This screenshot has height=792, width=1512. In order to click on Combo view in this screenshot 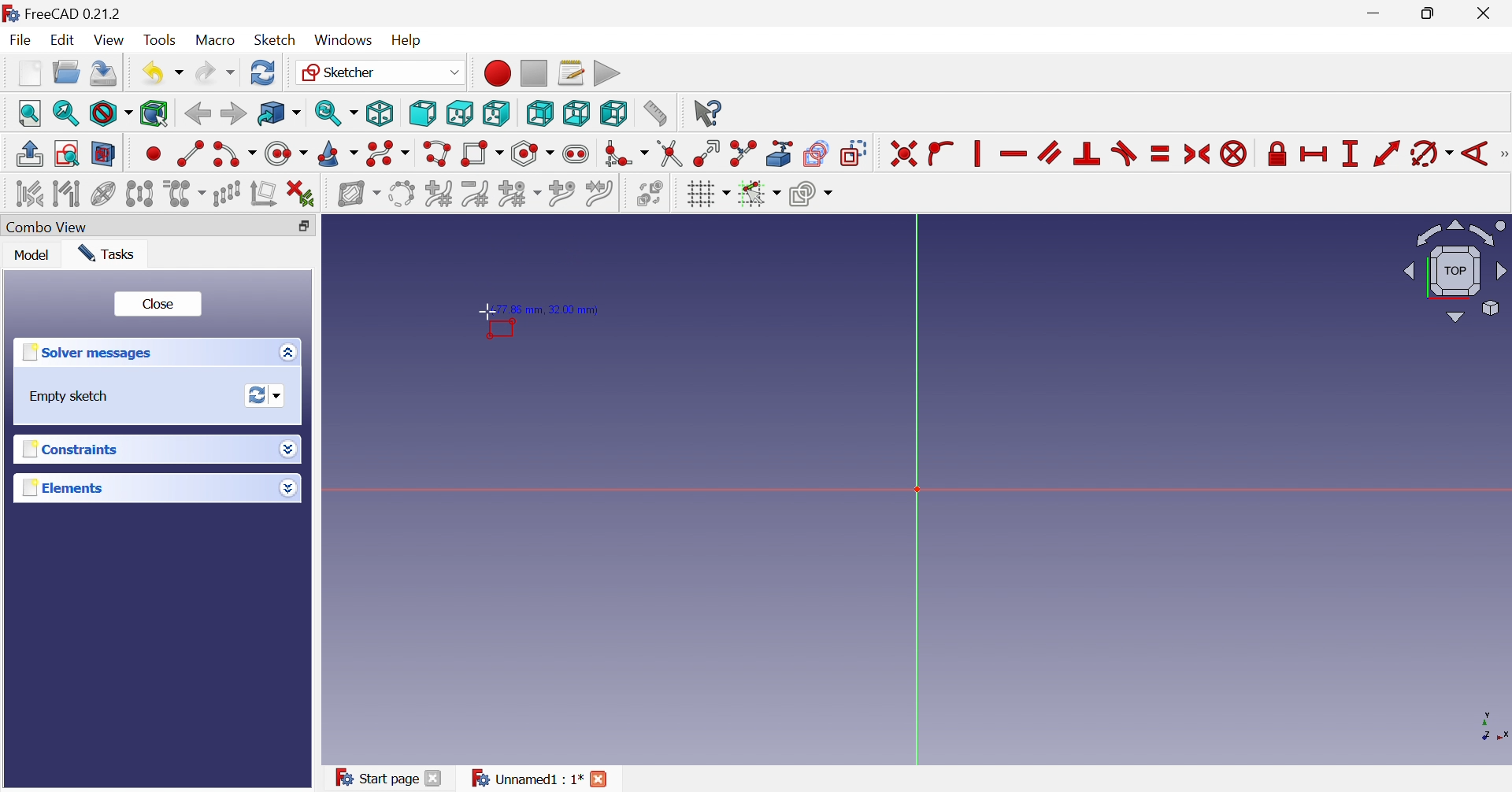, I will do `click(53, 228)`.